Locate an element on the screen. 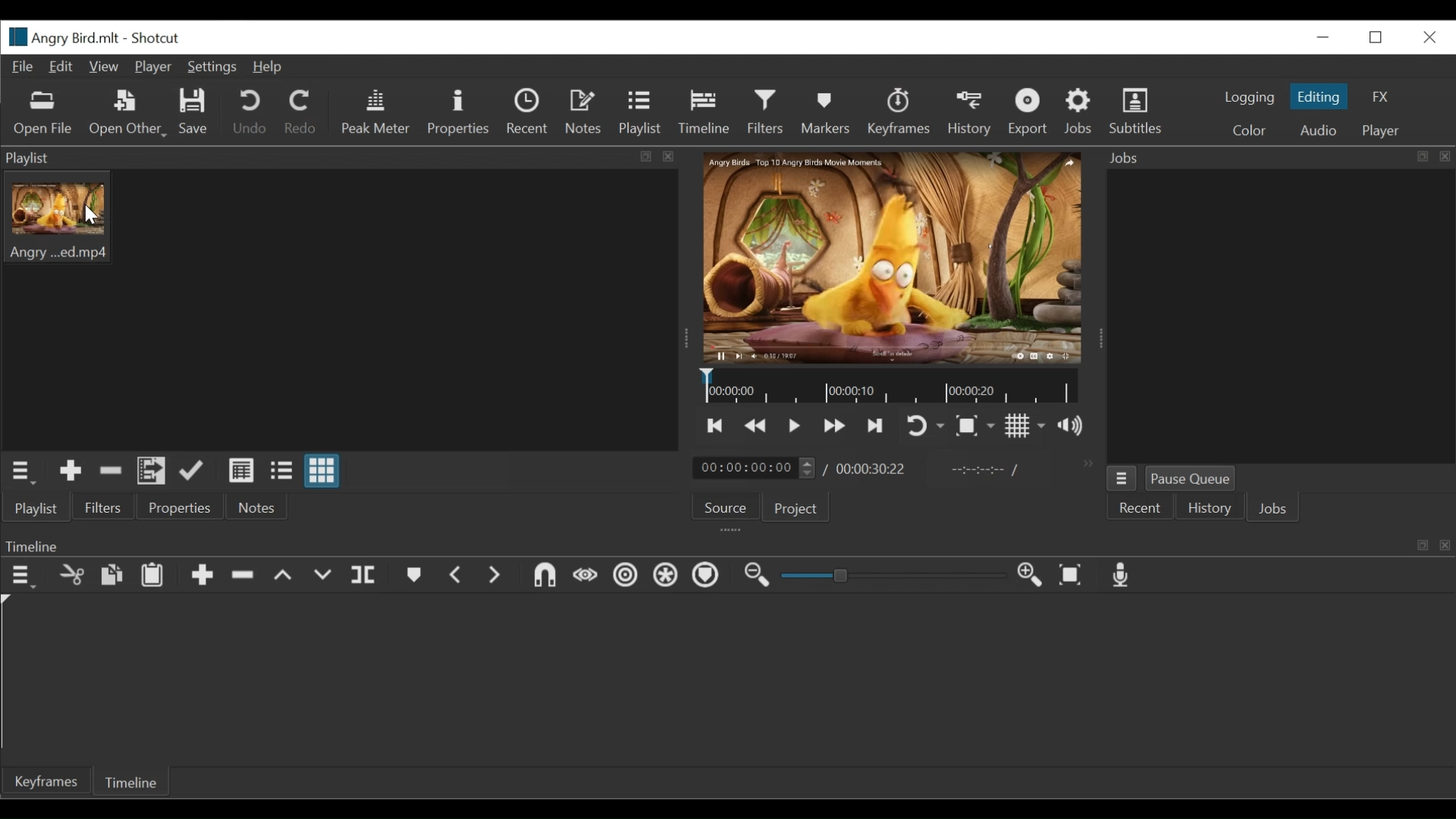 The width and height of the screenshot is (1456, 819). Redo is located at coordinates (299, 111).